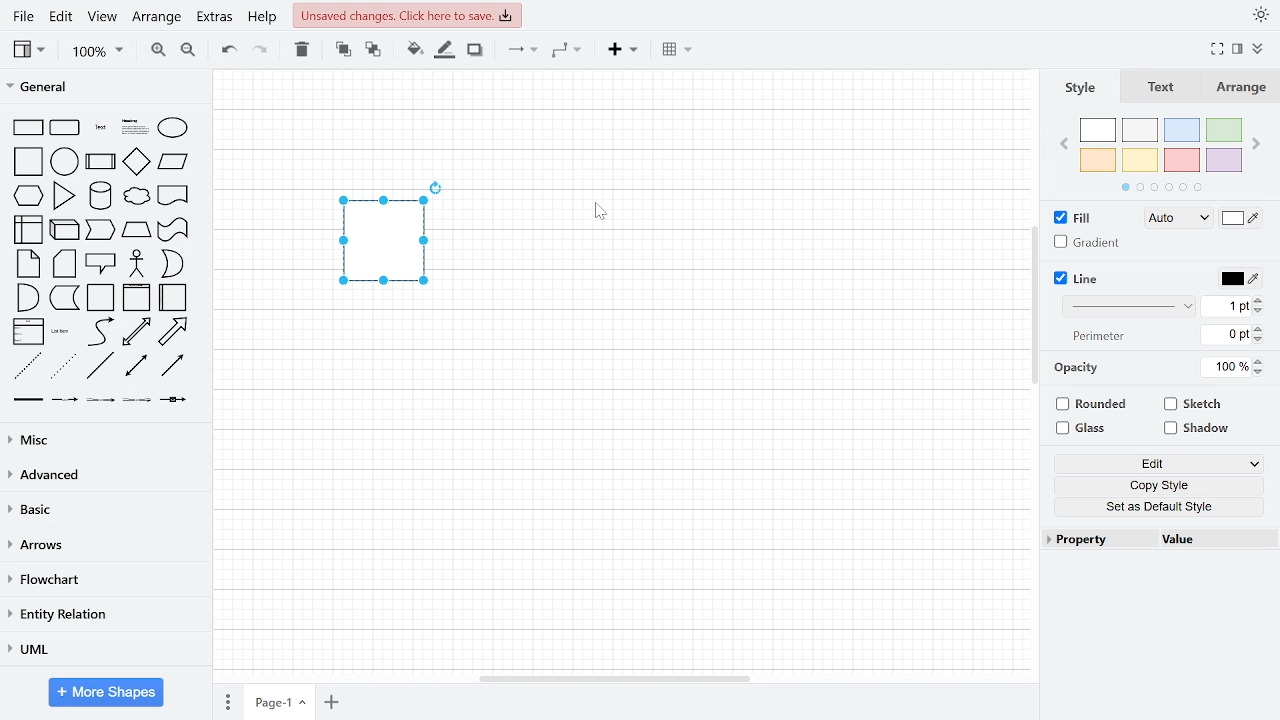  What do you see at coordinates (1099, 336) in the screenshot?
I see `perimeter` at bounding box center [1099, 336].